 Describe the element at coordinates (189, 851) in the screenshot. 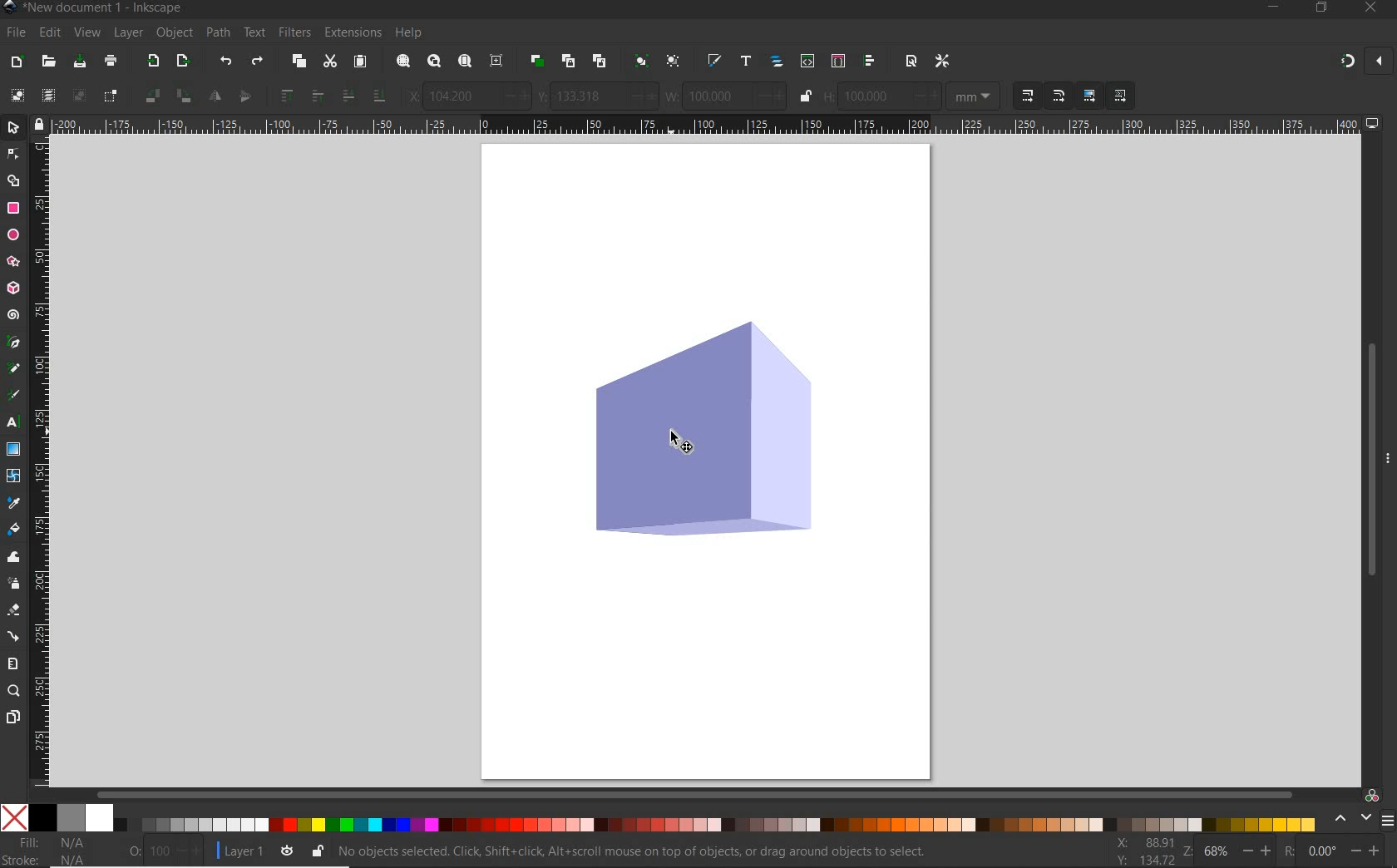

I see `increase/decrease` at that location.